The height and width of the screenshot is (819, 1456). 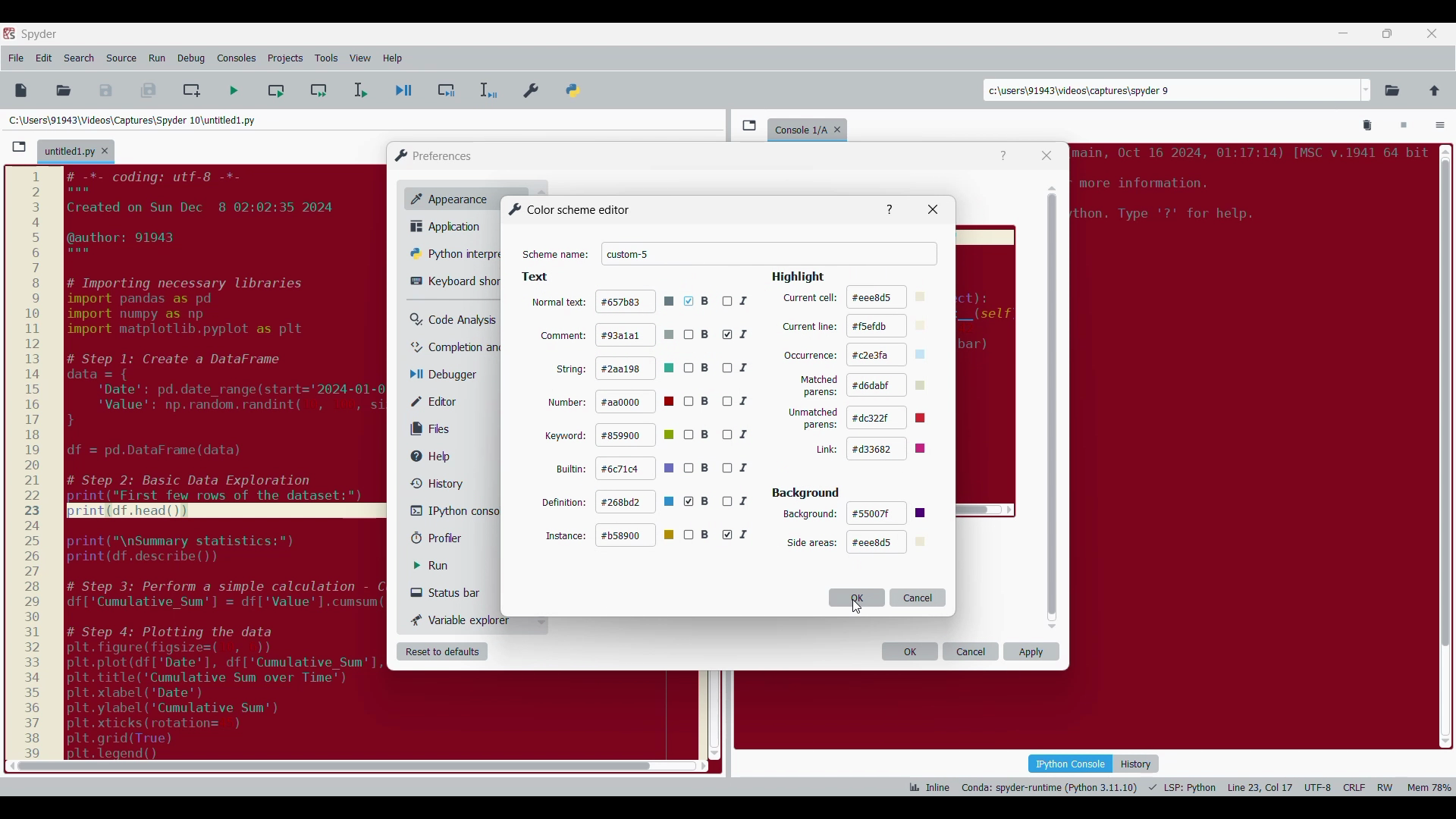 What do you see at coordinates (636, 503) in the screenshot?
I see `#268bd2` at bounding box center [636, 503].